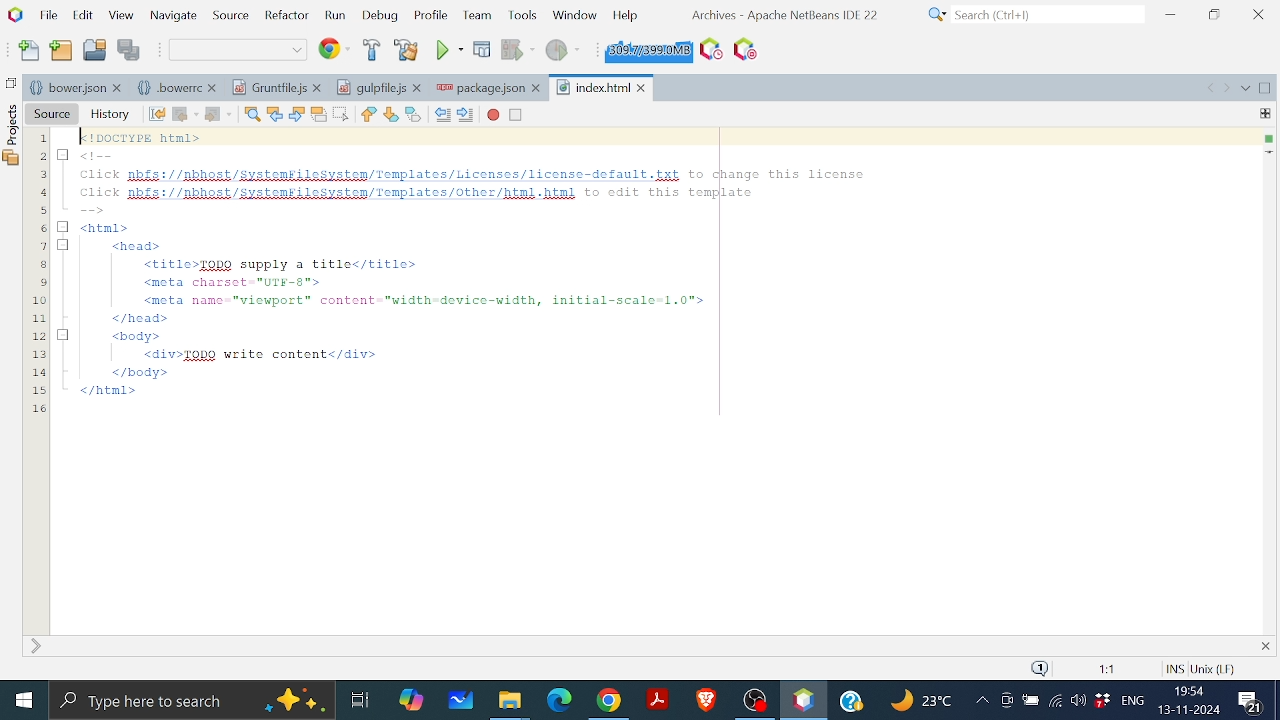  Describe the element at coordinates (1214, 14) in the screenshot. I see `Restore down` at that location.